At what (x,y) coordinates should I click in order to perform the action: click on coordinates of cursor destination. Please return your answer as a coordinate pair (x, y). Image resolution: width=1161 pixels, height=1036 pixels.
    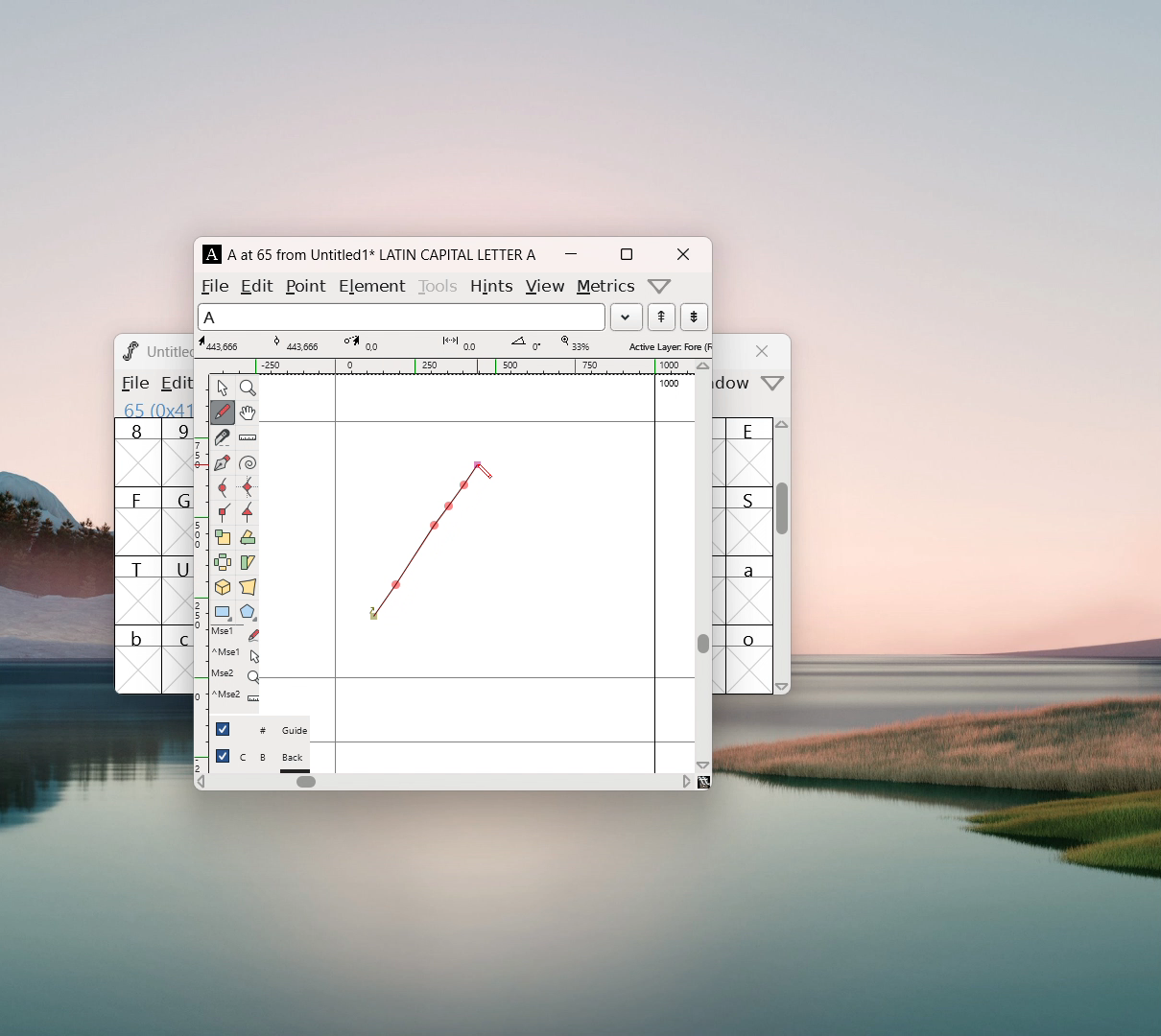
    Looking at the image, I should click on (362, 343).